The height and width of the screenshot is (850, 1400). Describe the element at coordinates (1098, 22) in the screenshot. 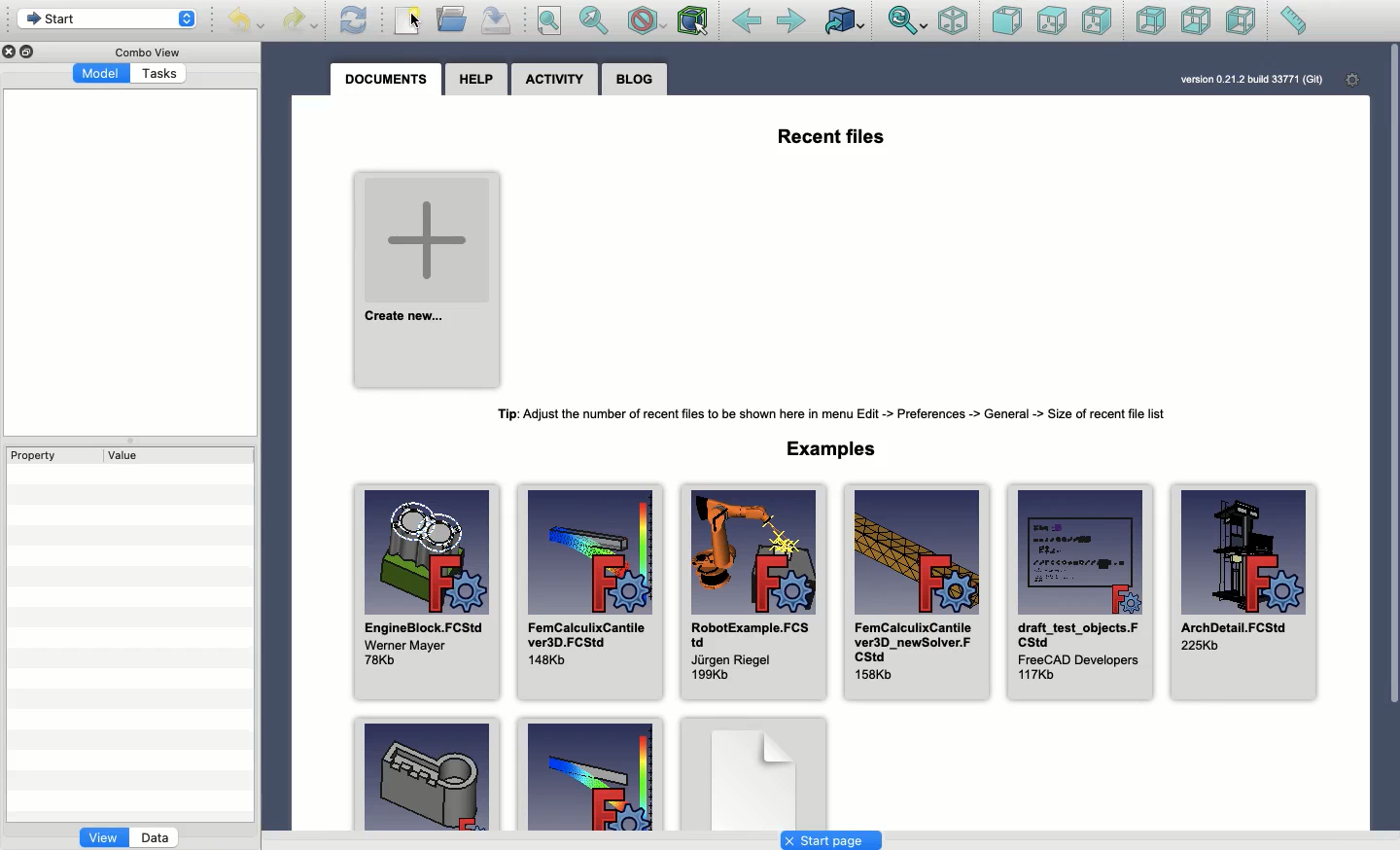

I see `Right` at that location.